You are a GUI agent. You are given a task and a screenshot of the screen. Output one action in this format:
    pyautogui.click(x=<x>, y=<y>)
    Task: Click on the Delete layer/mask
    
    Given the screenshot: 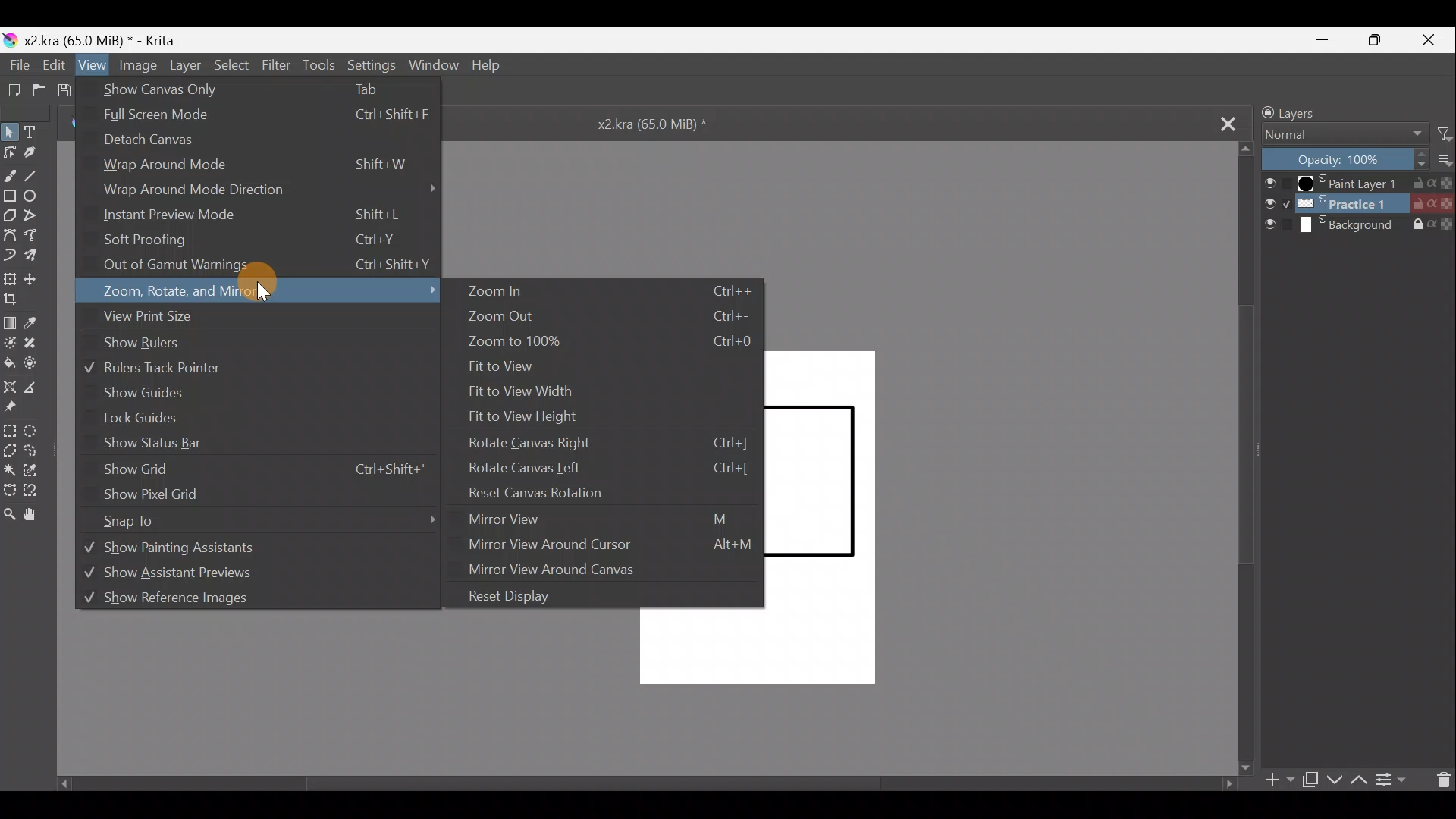 What is the action you would take?
    pyautogui.click(x=1439, y=780)
    